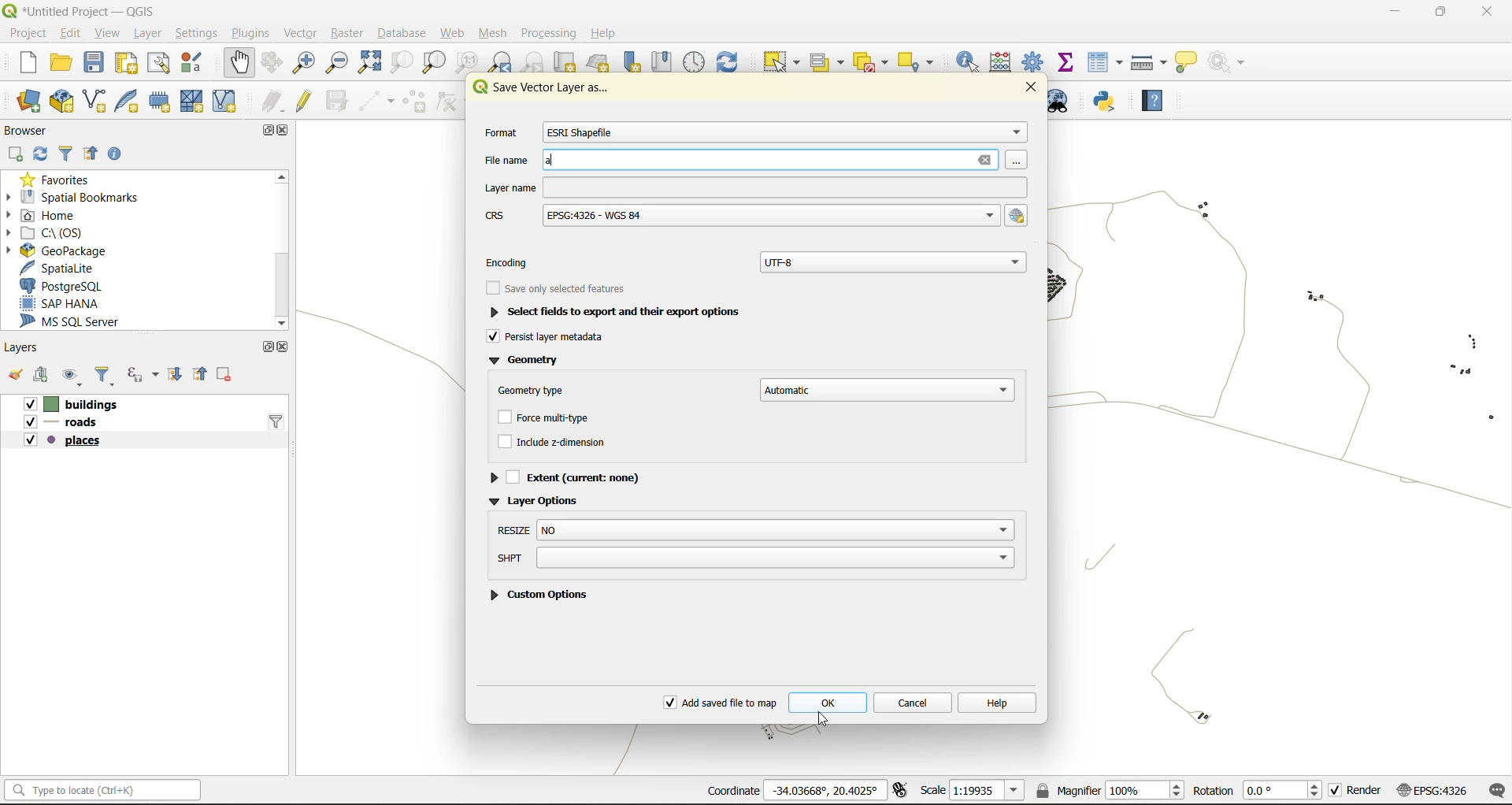 This screenshot has height=805, width=1512. Describe the element at coordinates (637, 63) in the screenshot. I see `new spatial bookmark` at that location.